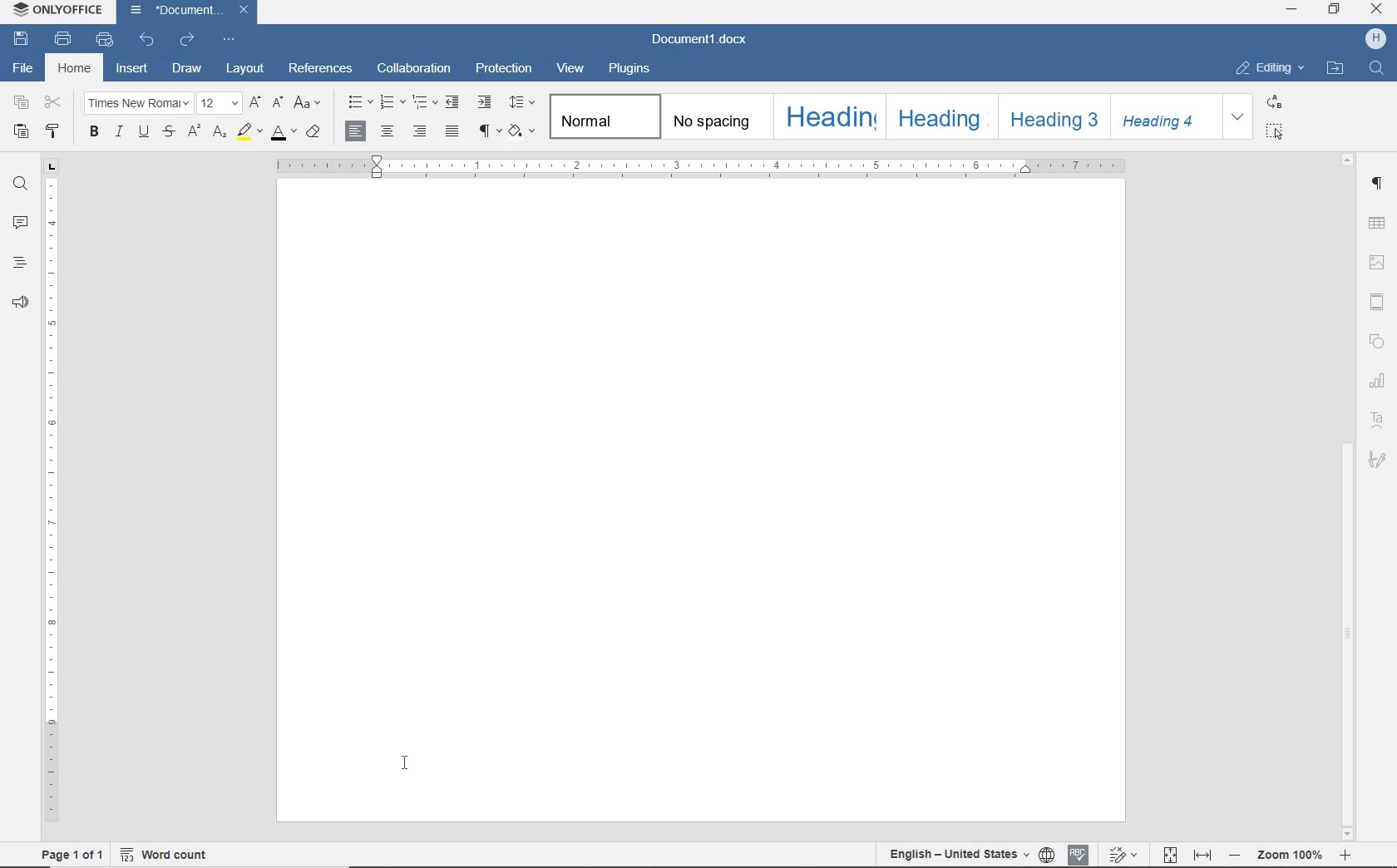  What do you see at coordinates (1377, 302) in the screenshot?
I see `header & footer` at bounding box center [1377, 302].